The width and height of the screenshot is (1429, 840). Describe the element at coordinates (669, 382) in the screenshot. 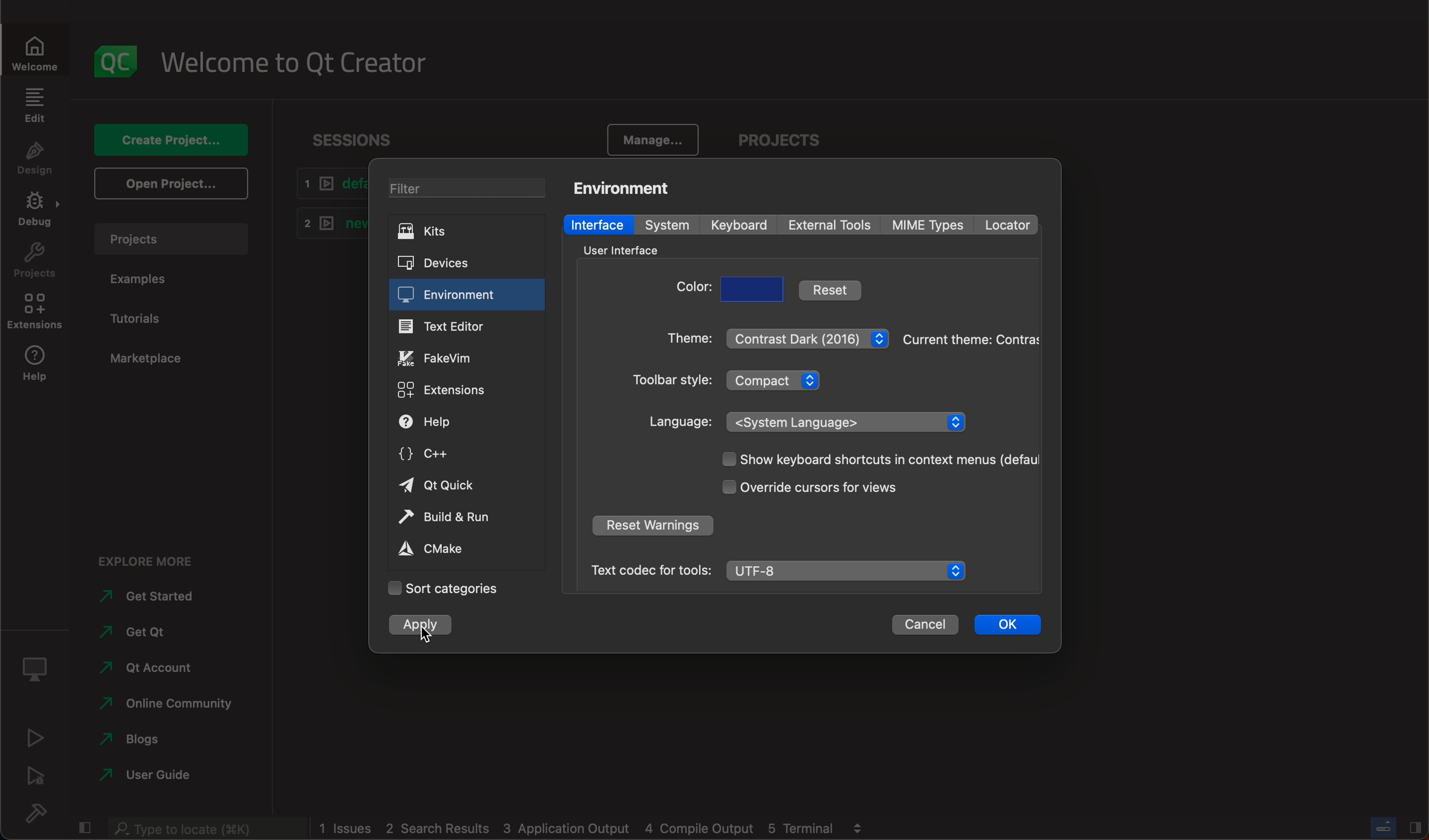

I see `toolbar style` at that location.